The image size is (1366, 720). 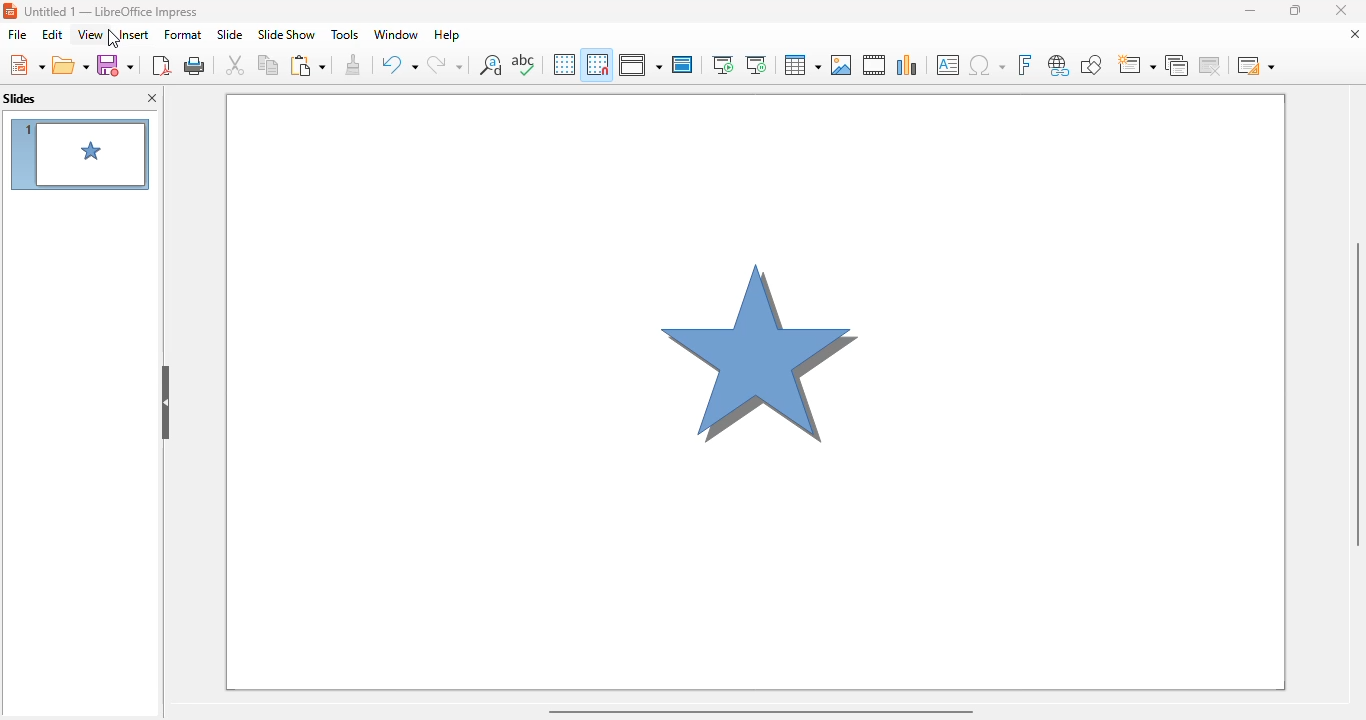 What do you see at coordinates (1177, 66) in the screenshot?
I see `duplicate slide` at bounding box center [1177, 66].